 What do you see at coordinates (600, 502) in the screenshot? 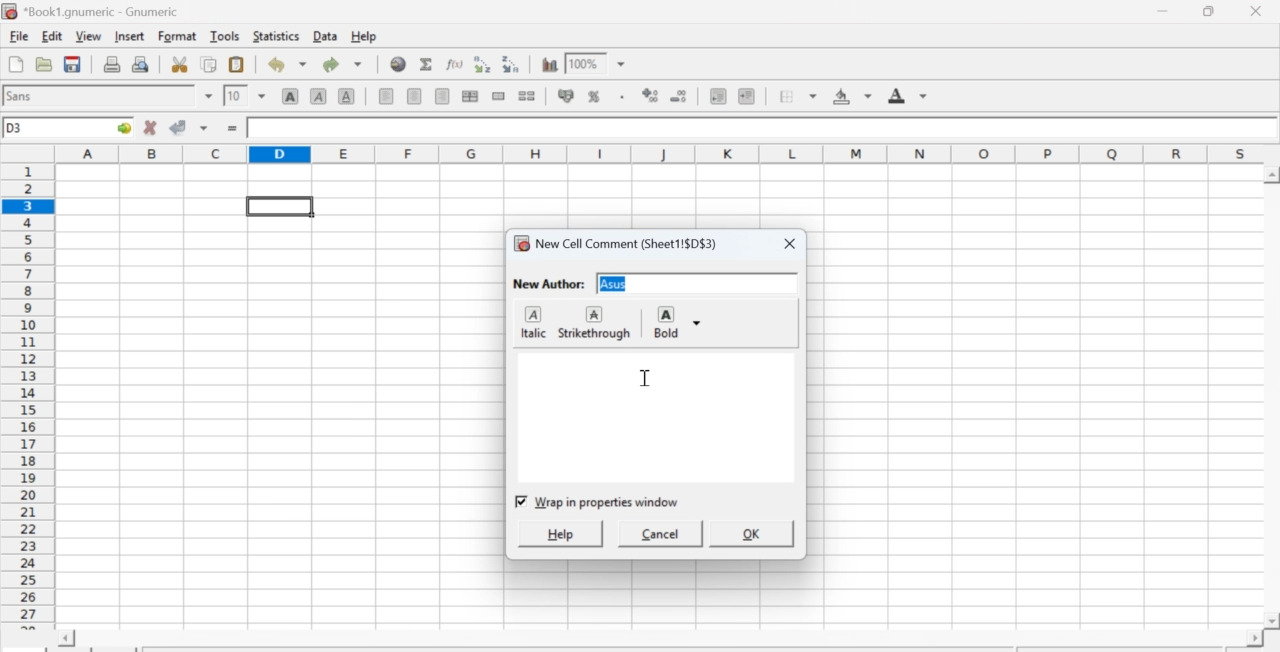
I see `checkbox` at bounding box center [600, 502].